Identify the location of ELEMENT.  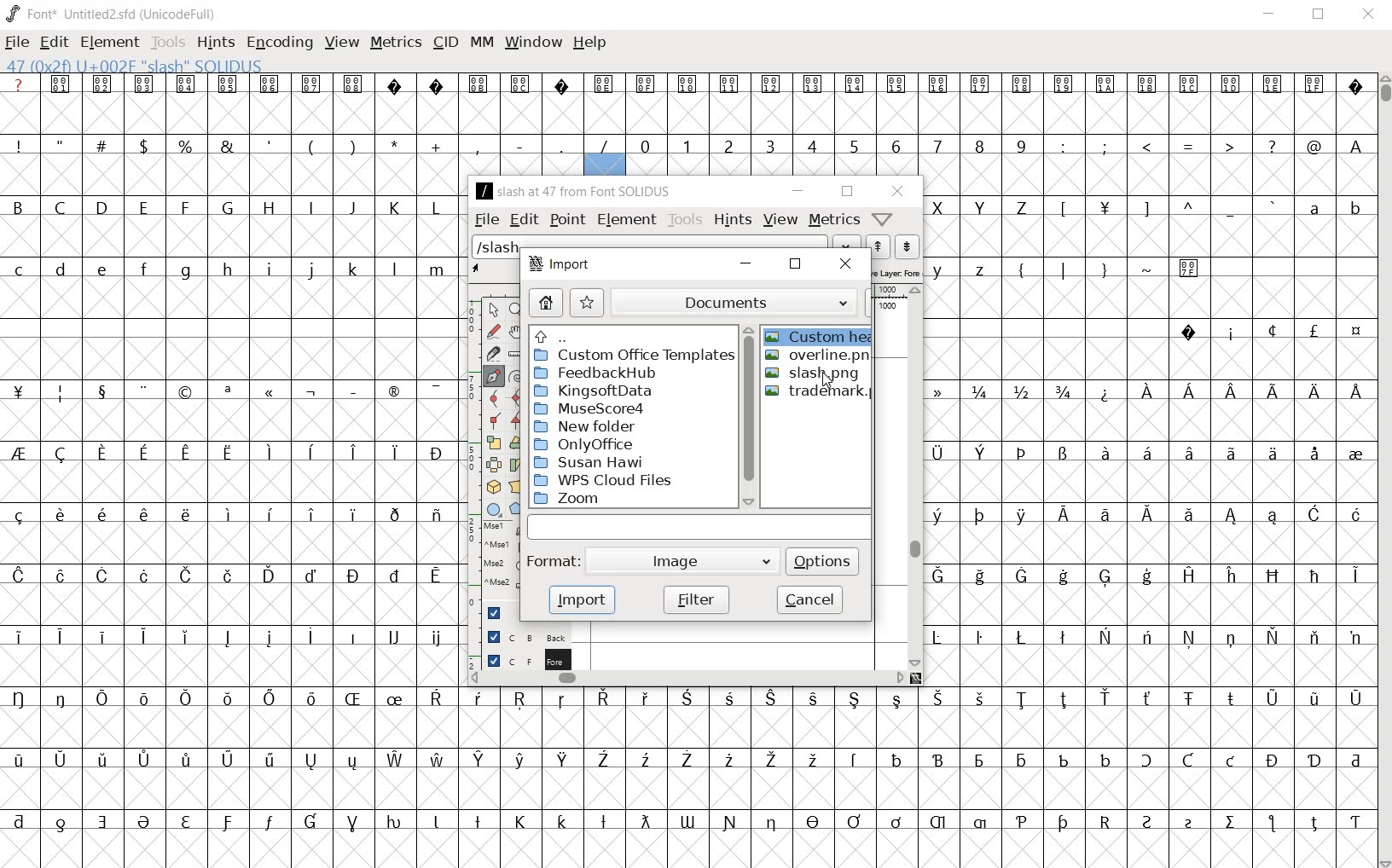
(109, 43).